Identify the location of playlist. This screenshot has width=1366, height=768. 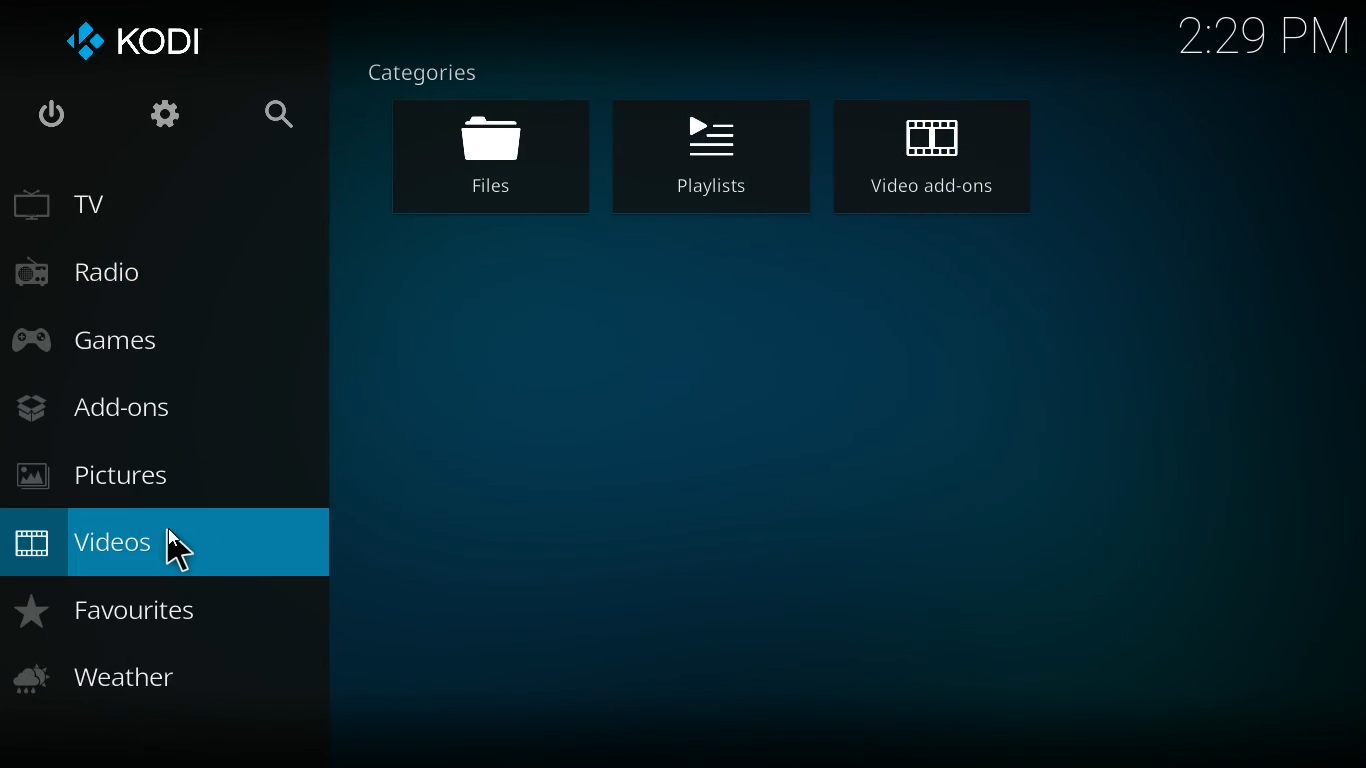
(714, 157).